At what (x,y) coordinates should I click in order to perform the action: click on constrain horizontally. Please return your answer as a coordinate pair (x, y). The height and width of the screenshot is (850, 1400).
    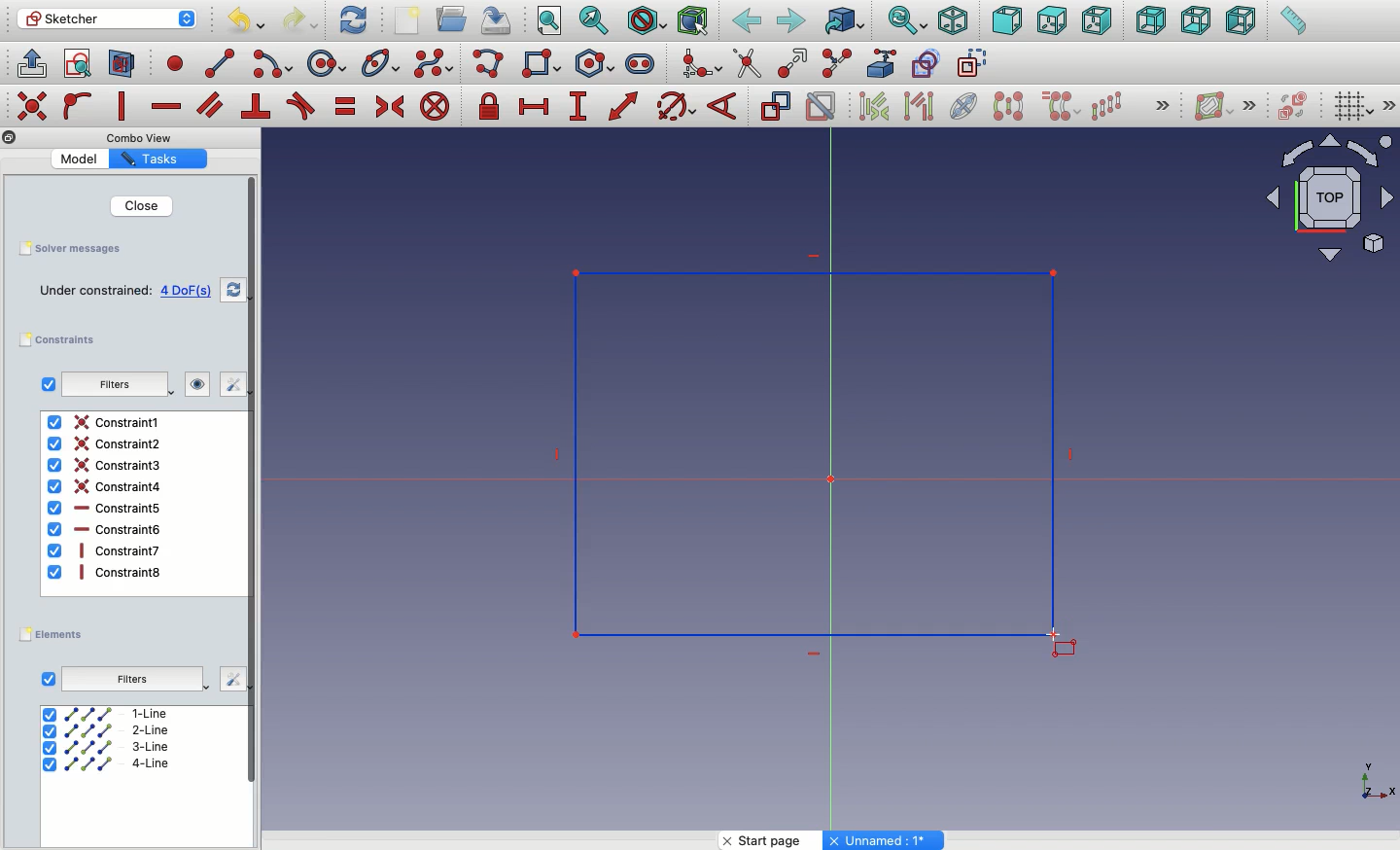
    Looking at the image, I should click on (168, 101).